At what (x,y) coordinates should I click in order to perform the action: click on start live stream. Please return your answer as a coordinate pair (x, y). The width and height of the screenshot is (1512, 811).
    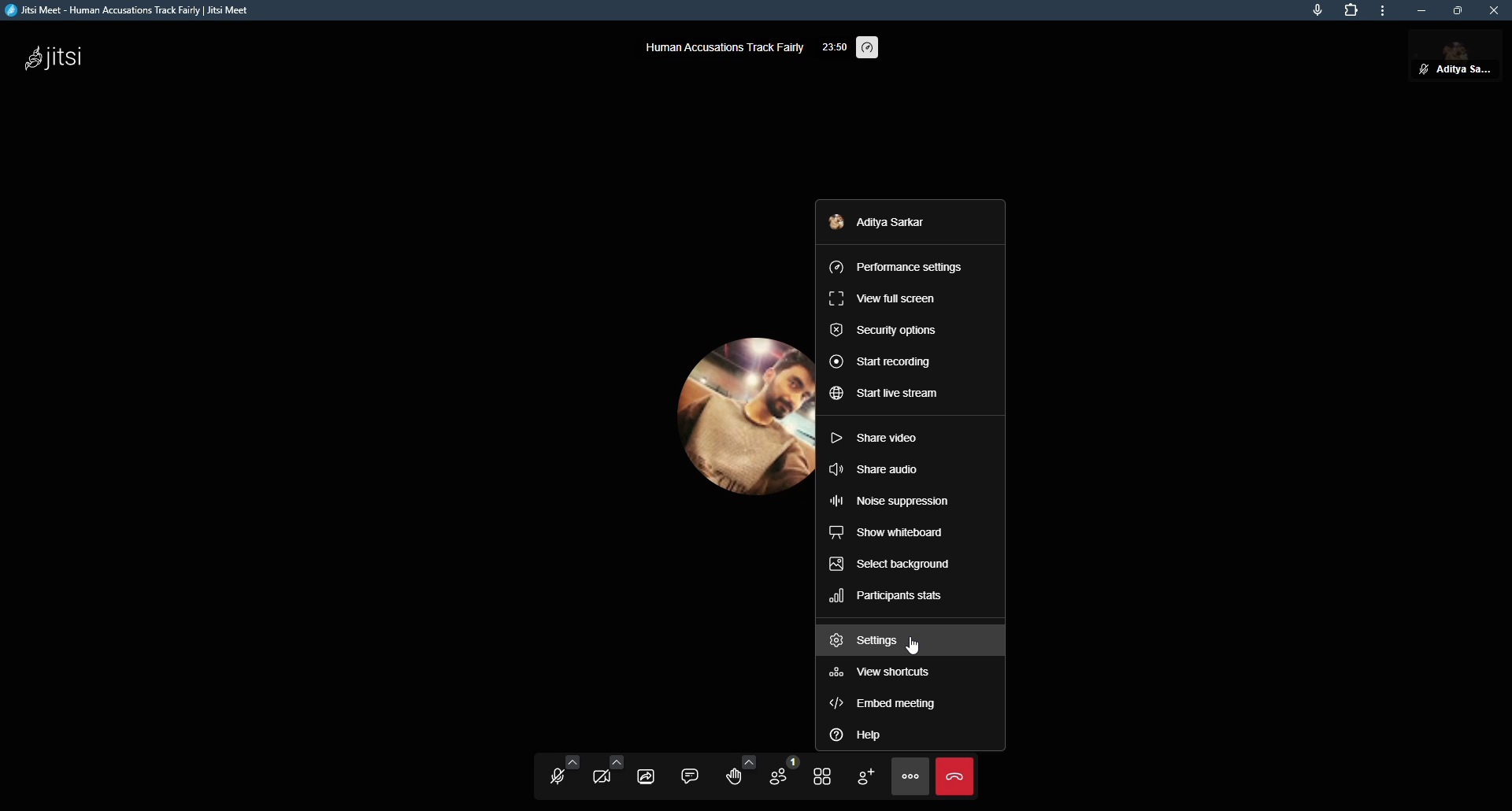
    Looking at the image, I should click on (886, 395).